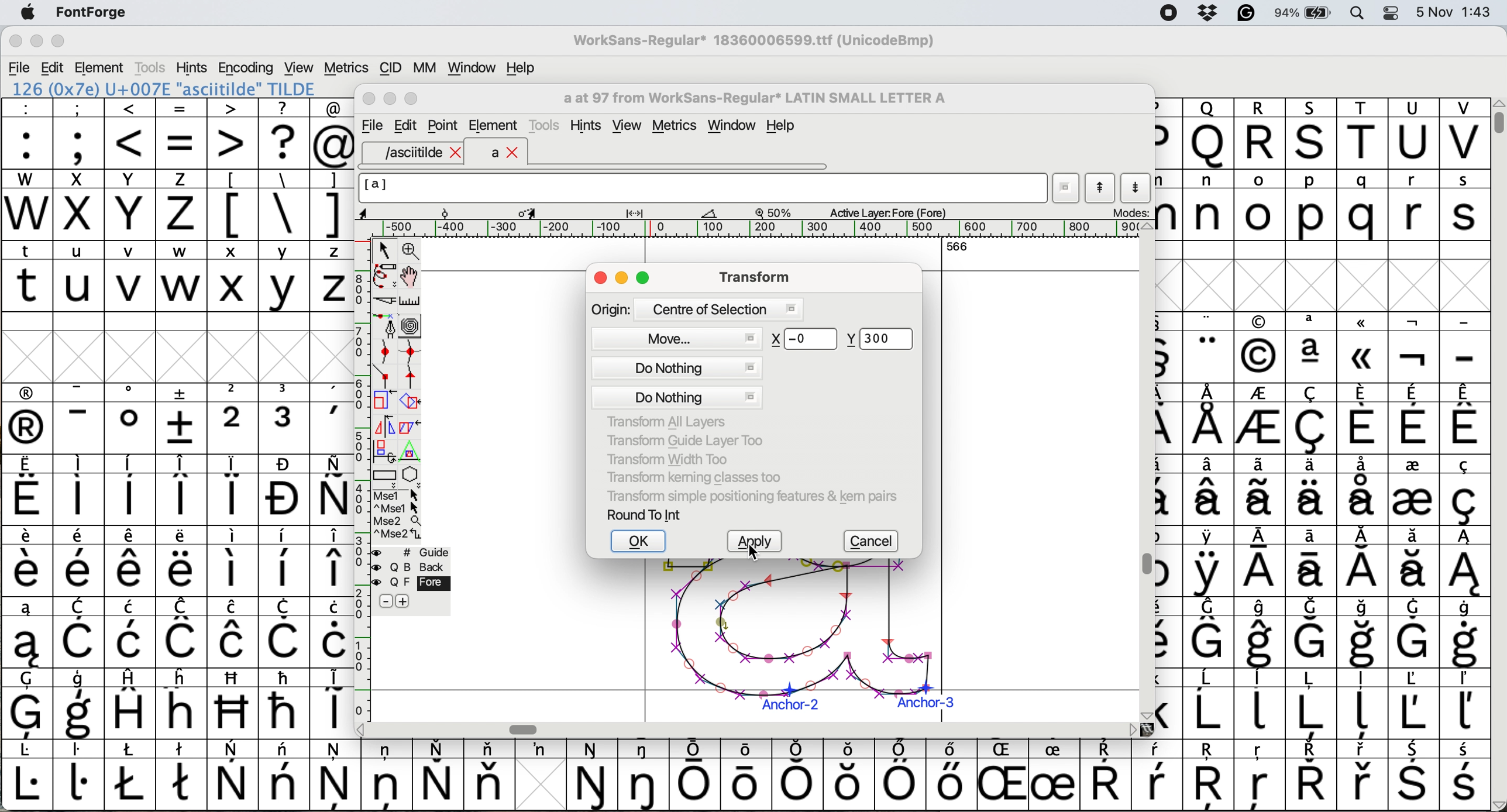 Image resolution: width=1507 pixels, height=812 pixels. Describe the element at coordinates (1054, 776) in the screenshot. I see `symbol` at that location.